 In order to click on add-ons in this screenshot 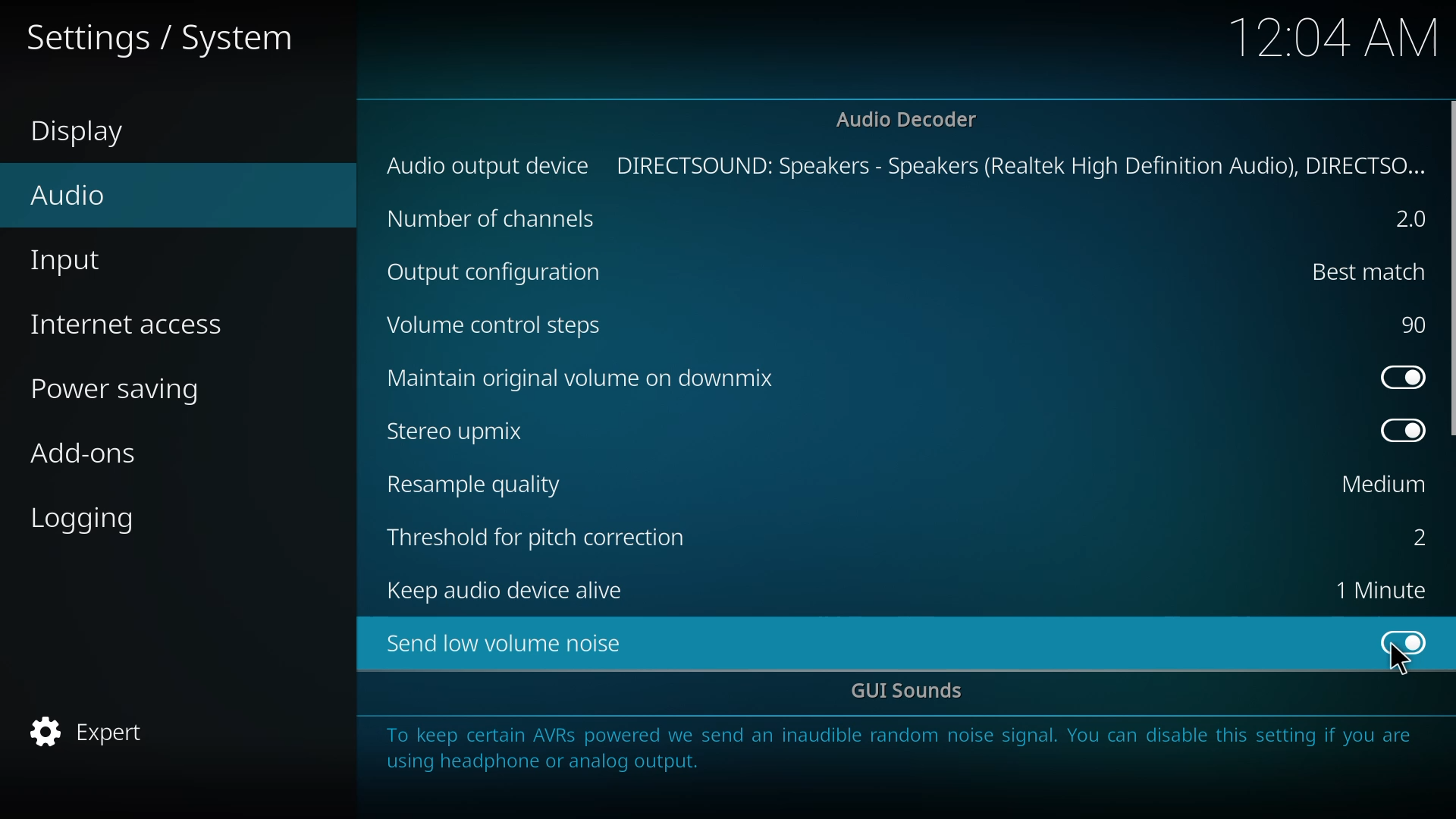, I will do `click(87, 454)`.